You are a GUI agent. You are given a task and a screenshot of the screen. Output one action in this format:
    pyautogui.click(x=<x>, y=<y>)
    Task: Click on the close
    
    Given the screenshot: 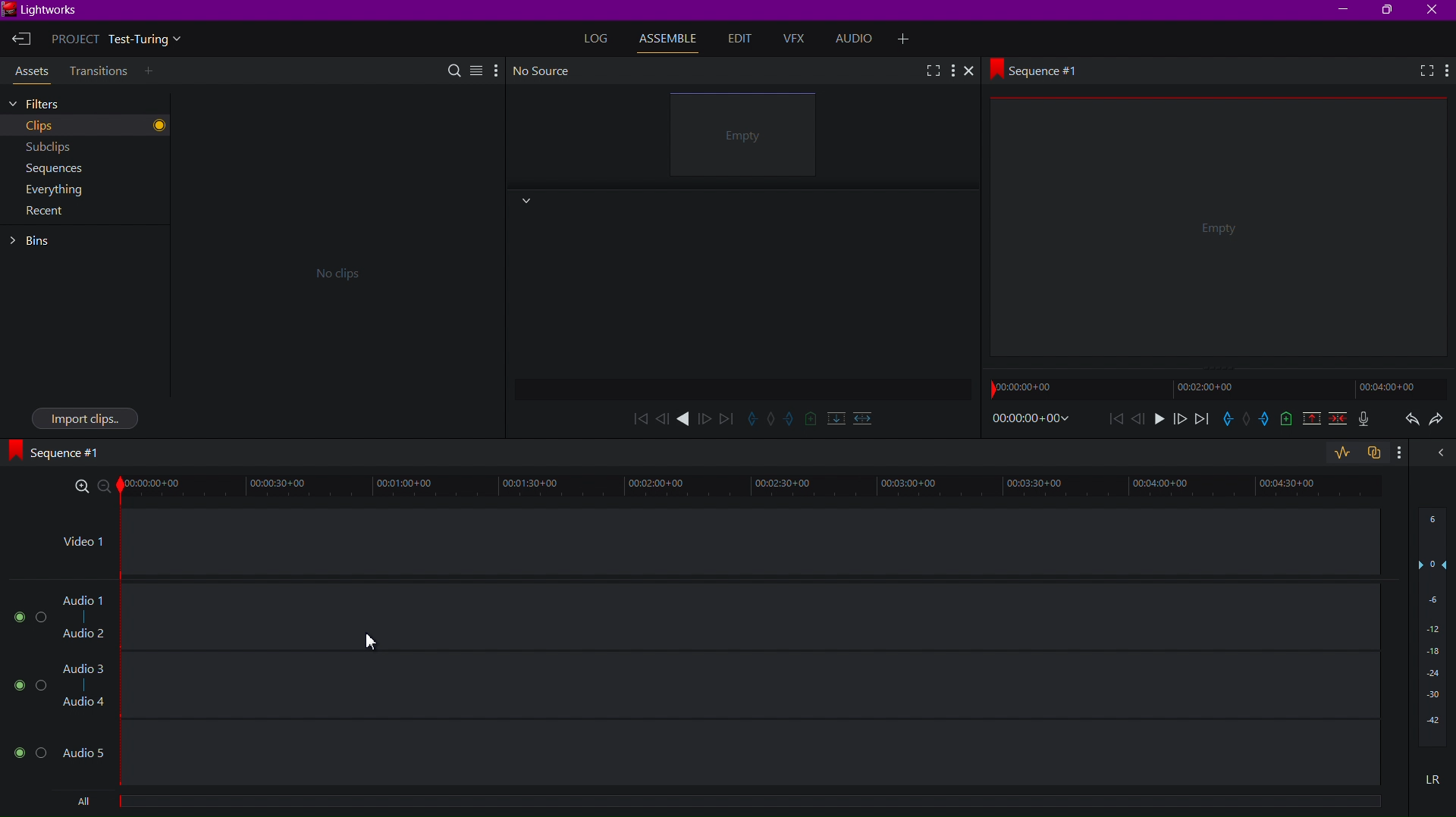 What is the action you would take?
    pyautogui.click(x=1439, y=452)
    